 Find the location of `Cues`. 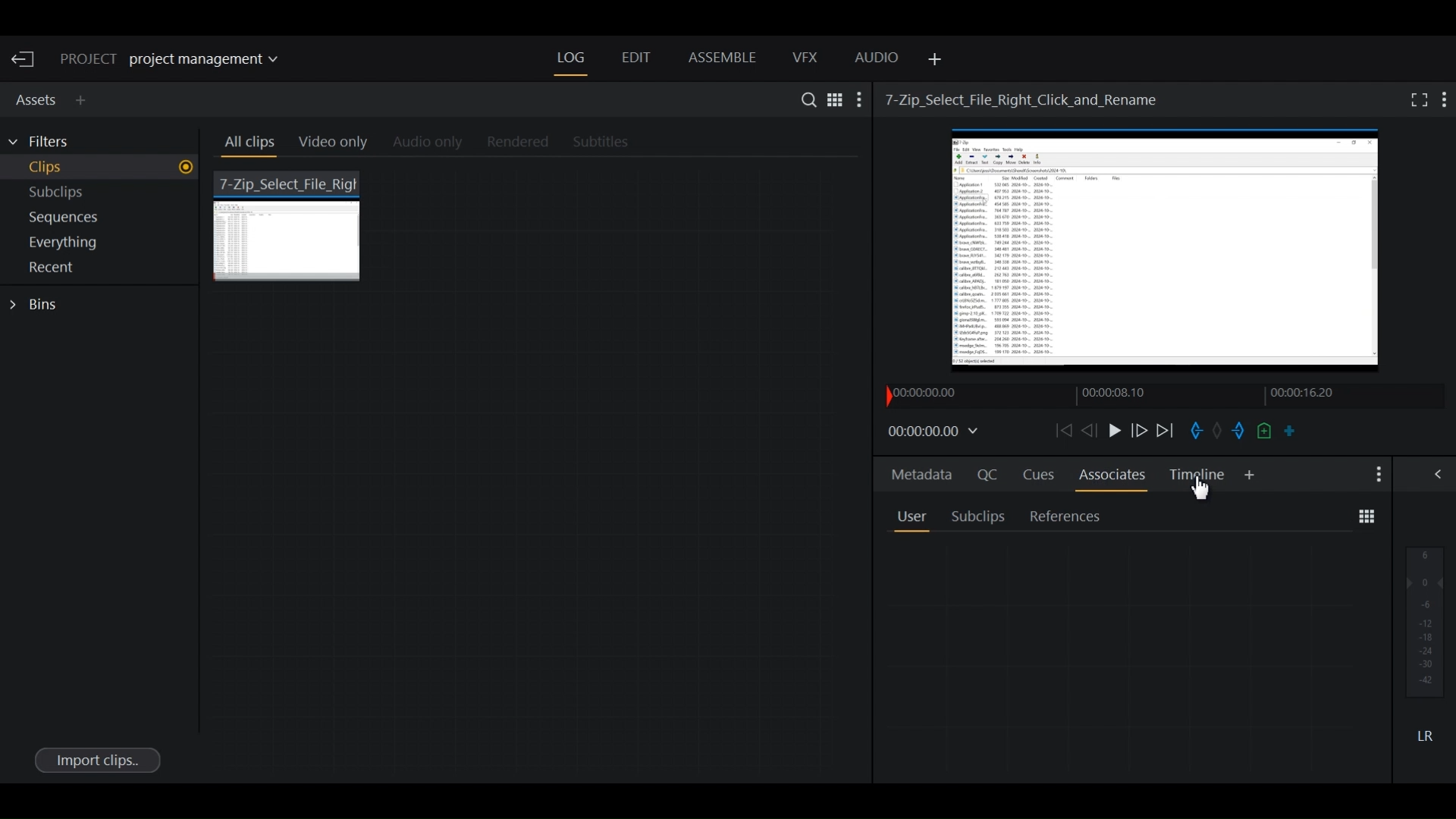

Cues is located at coordinates (1038, 475).